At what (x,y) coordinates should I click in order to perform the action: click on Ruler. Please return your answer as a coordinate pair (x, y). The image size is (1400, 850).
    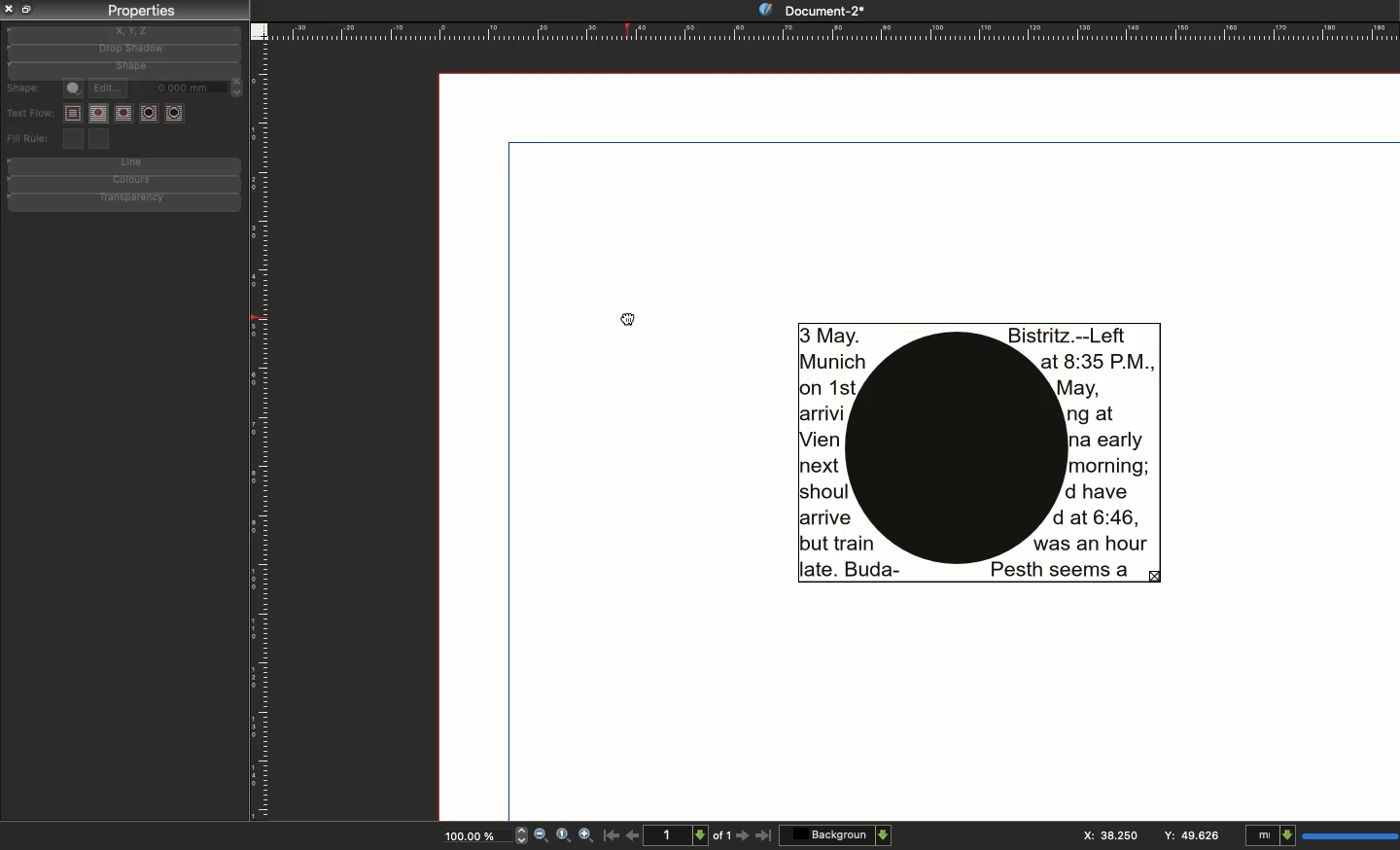
    Looking at the image, I should click on (258, 435).